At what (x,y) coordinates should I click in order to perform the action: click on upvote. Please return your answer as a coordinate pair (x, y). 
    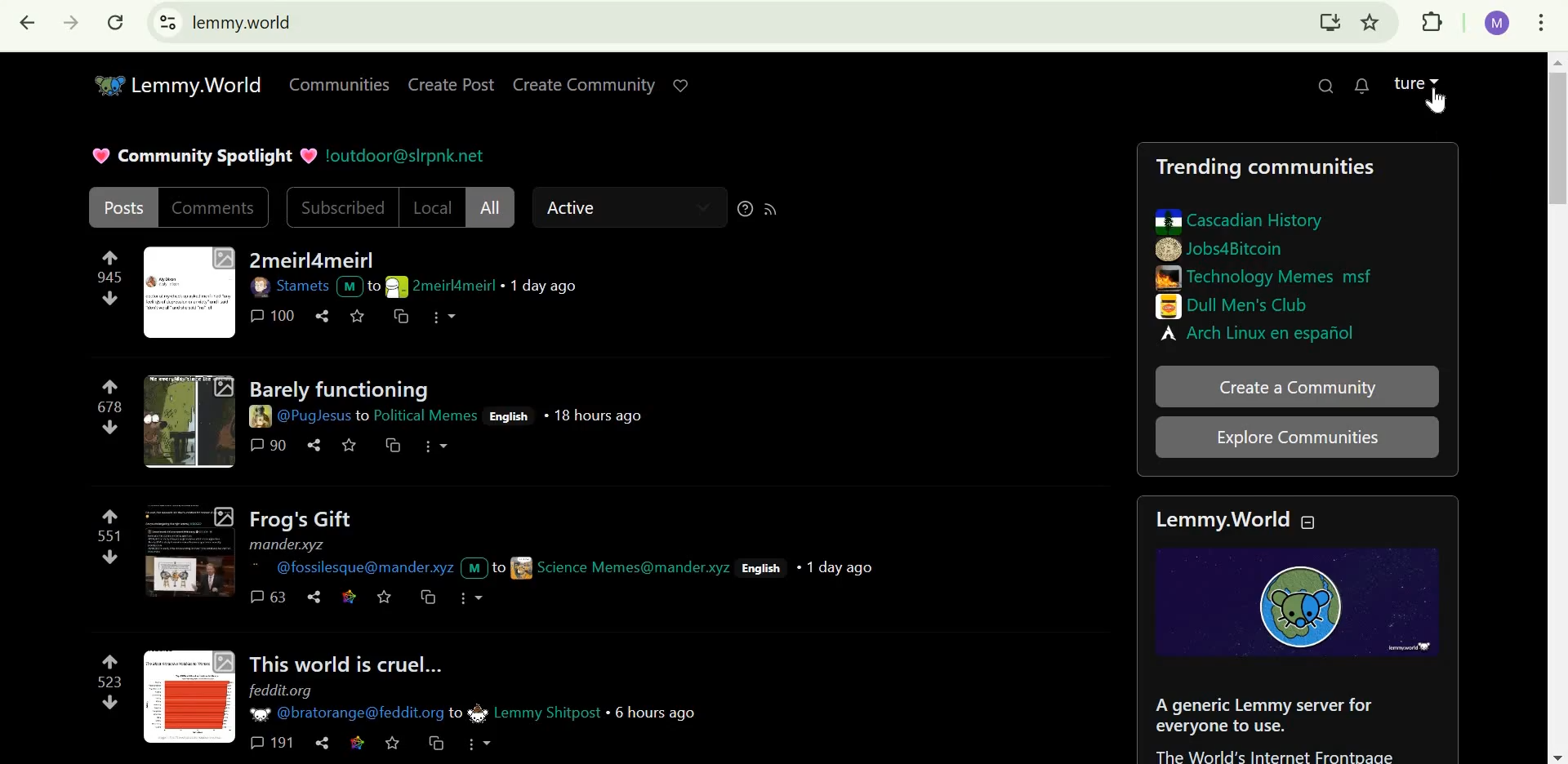
    Looking at the image, I should click on (112, 384).